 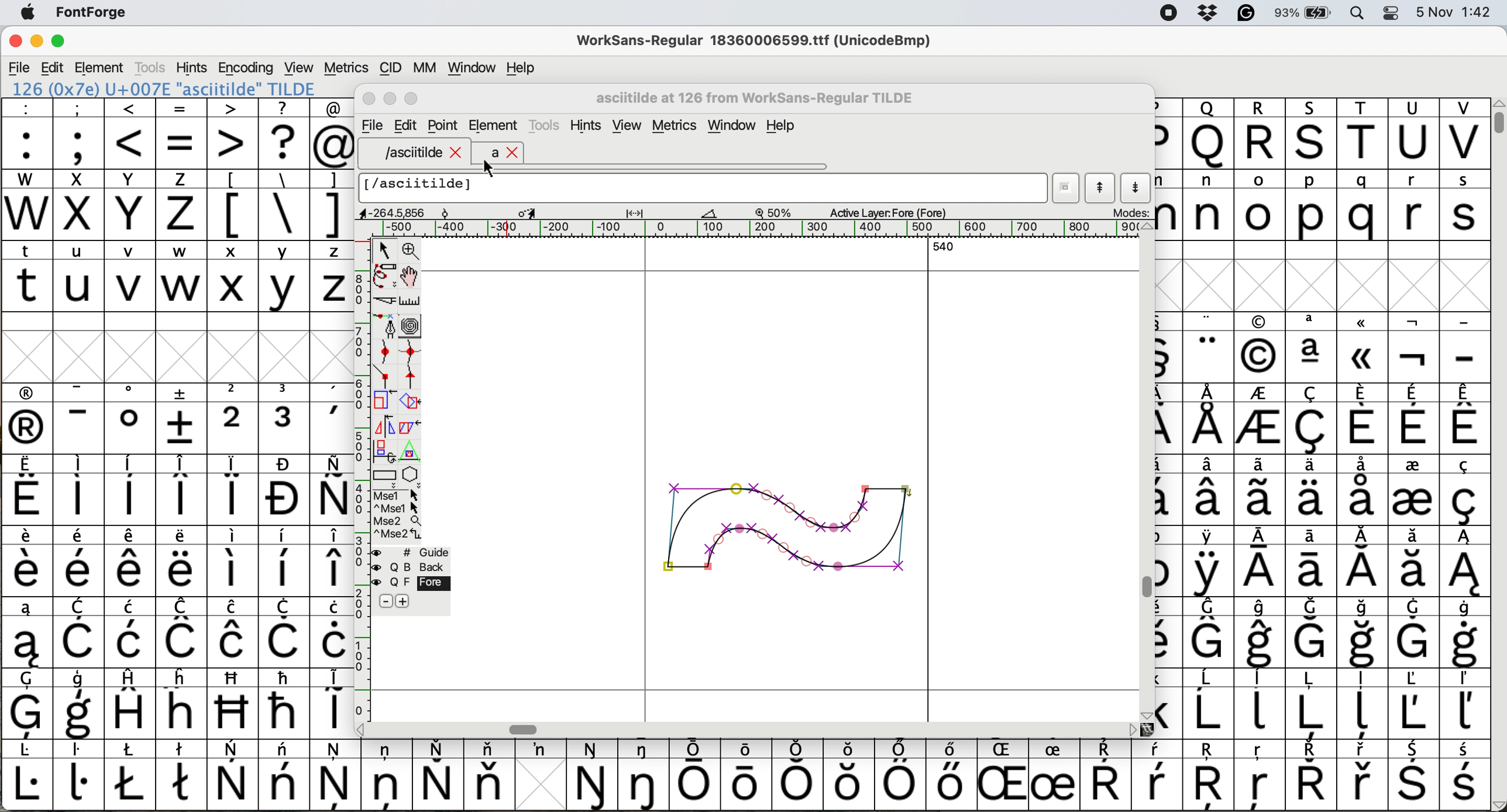 I want to click on a, so click(x=503, y=153).